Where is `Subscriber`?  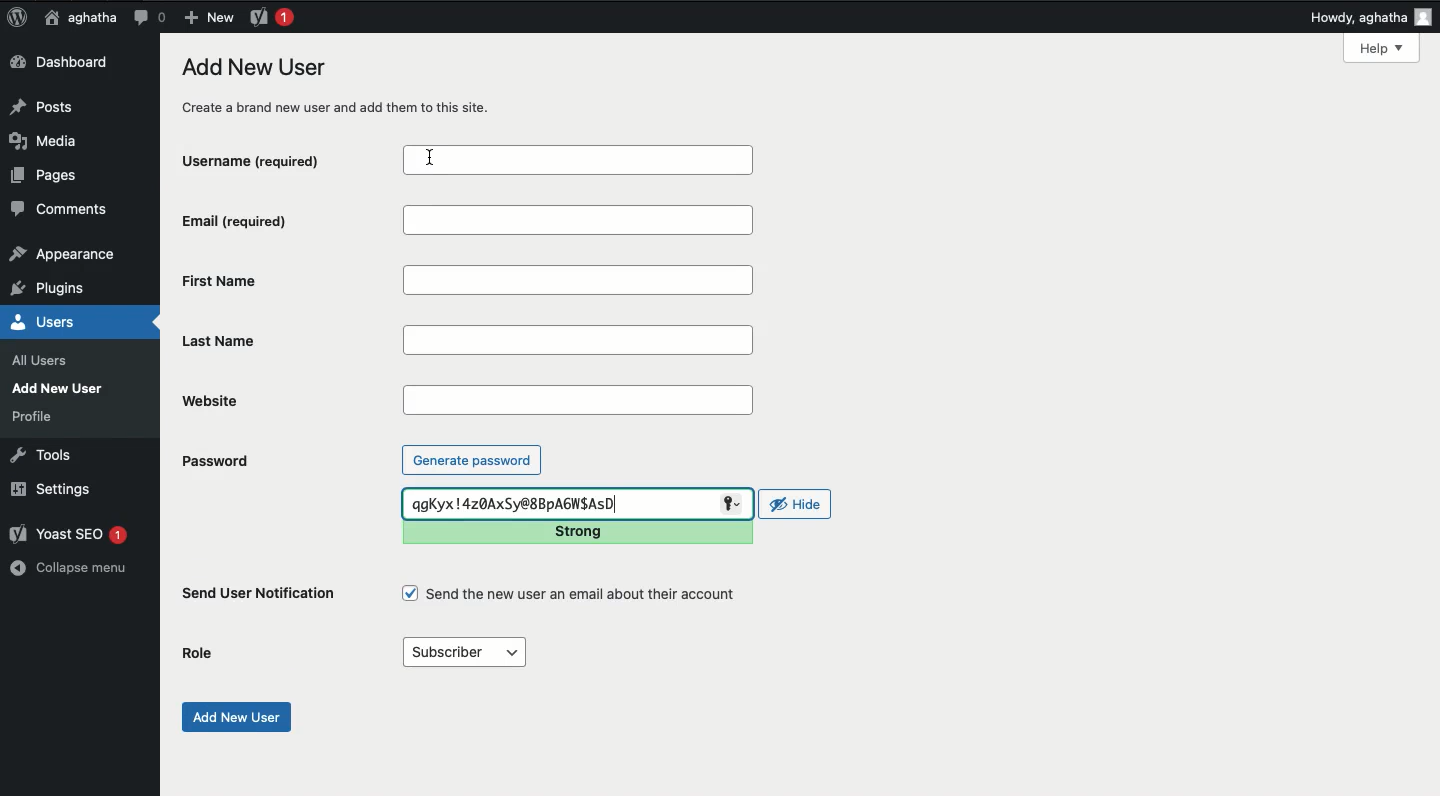
Subscriber is located at coordinates (463, 653).